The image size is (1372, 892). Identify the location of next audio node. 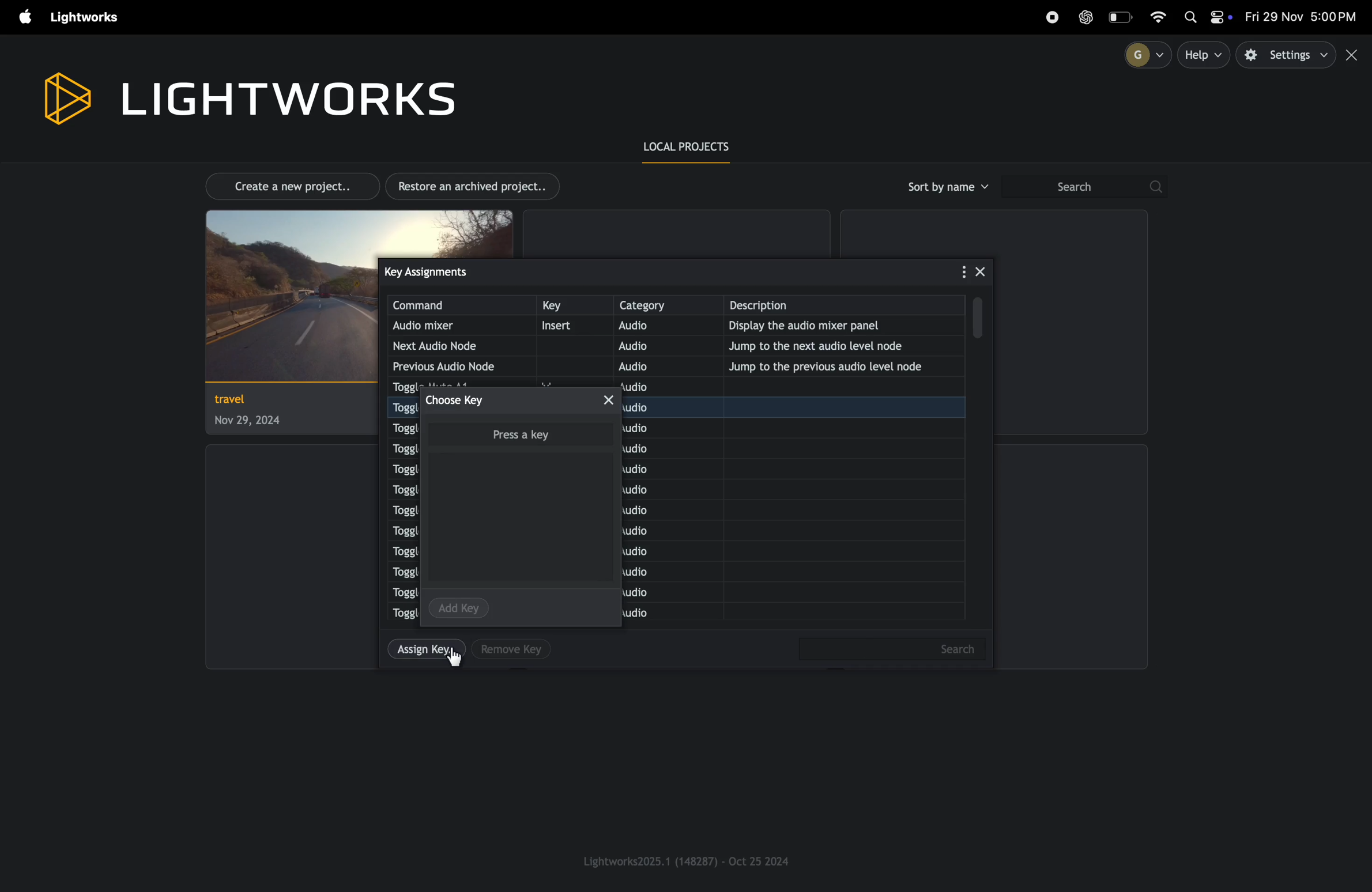
(447, 346).